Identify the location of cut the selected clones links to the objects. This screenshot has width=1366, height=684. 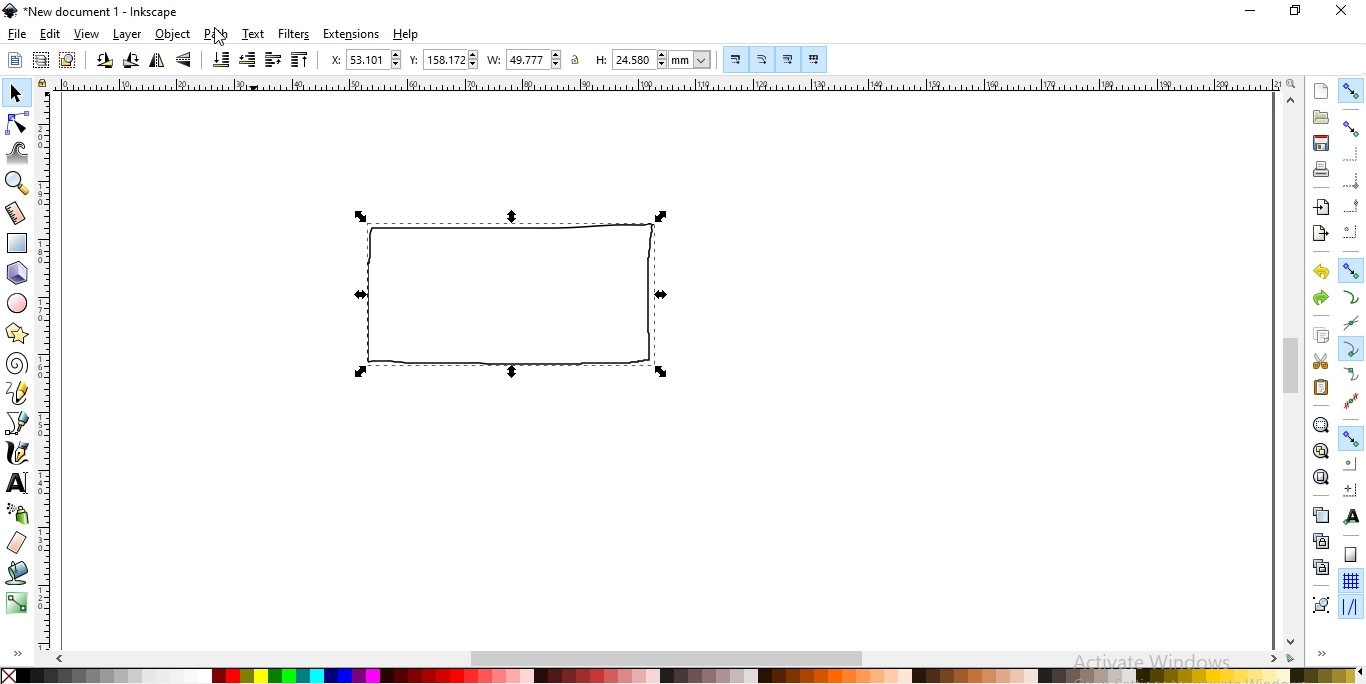
(1318, 568).